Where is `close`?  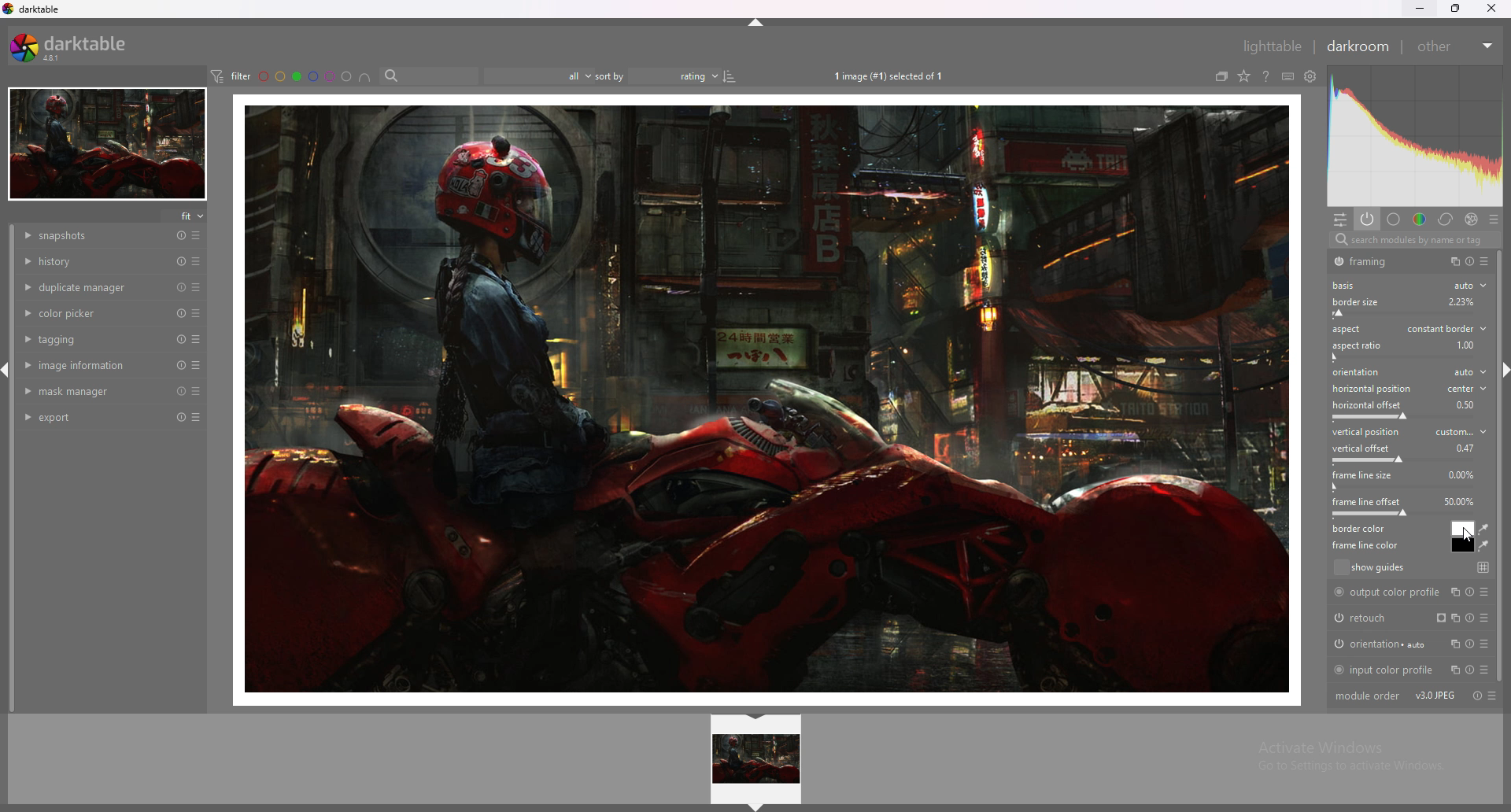
close is located at coordinates (1491, 9).